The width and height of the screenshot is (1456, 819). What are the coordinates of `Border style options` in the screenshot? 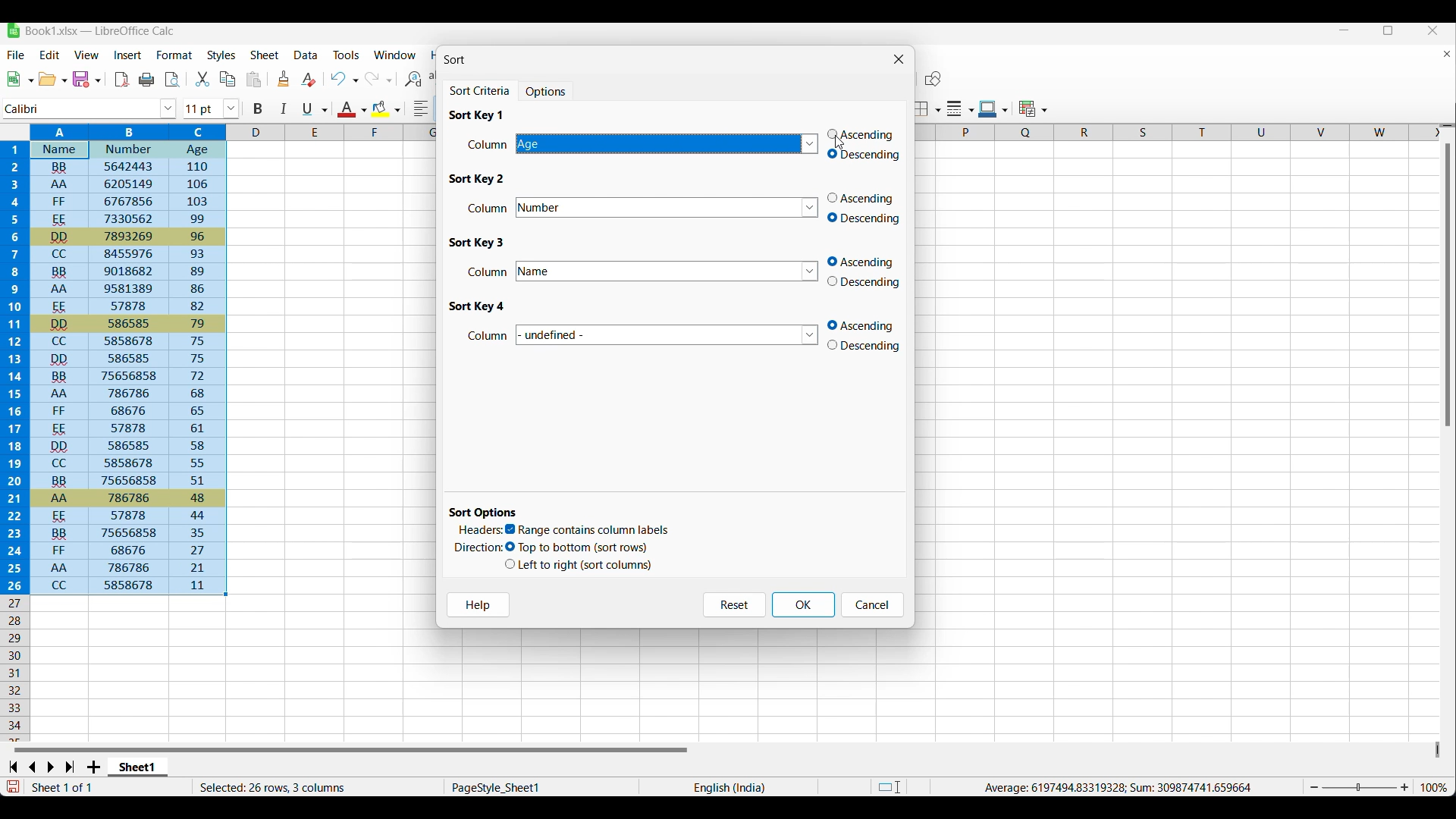 It's located at (961, 109).